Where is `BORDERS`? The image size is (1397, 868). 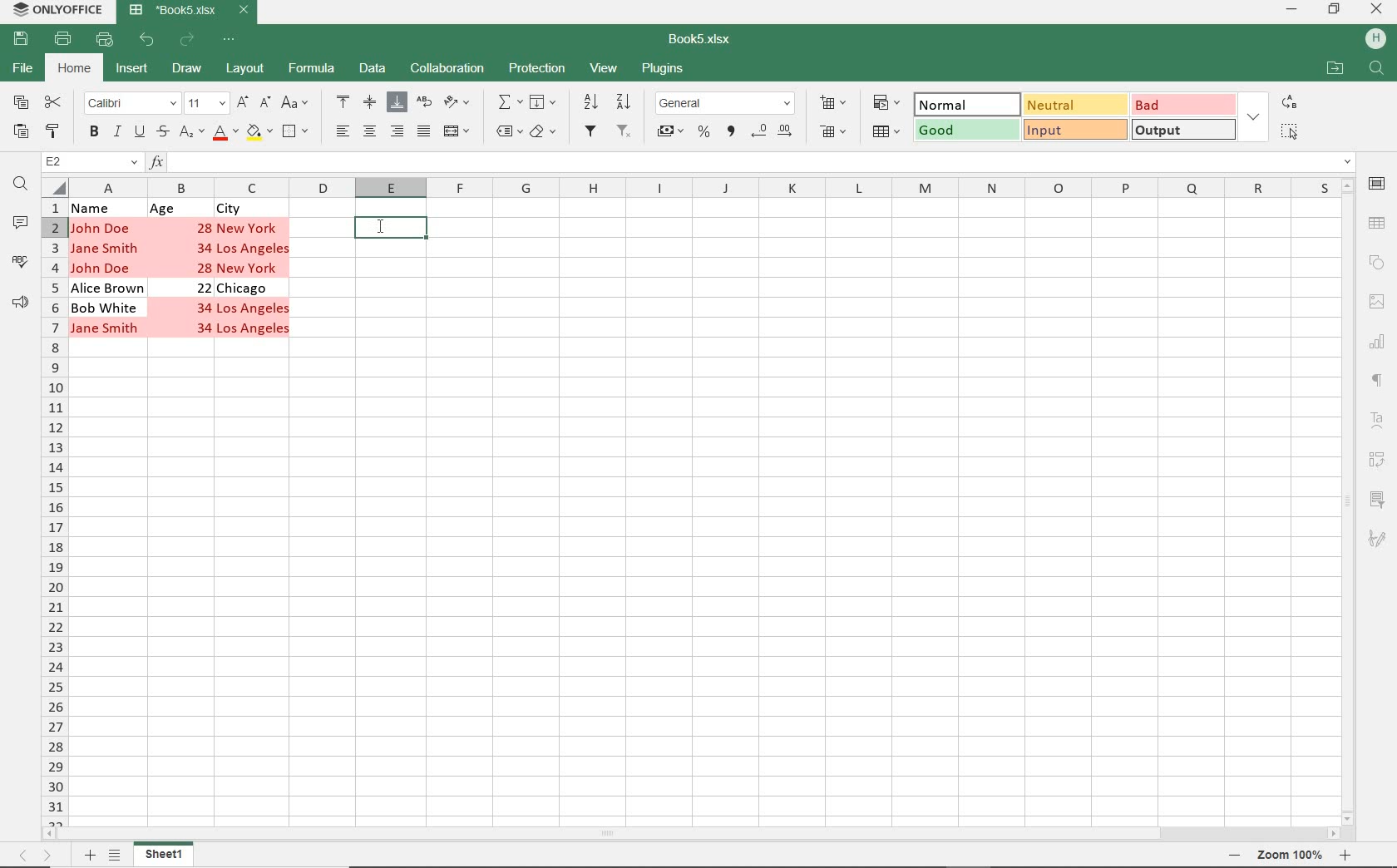 BORDERS is located at coordinates (297, 133).